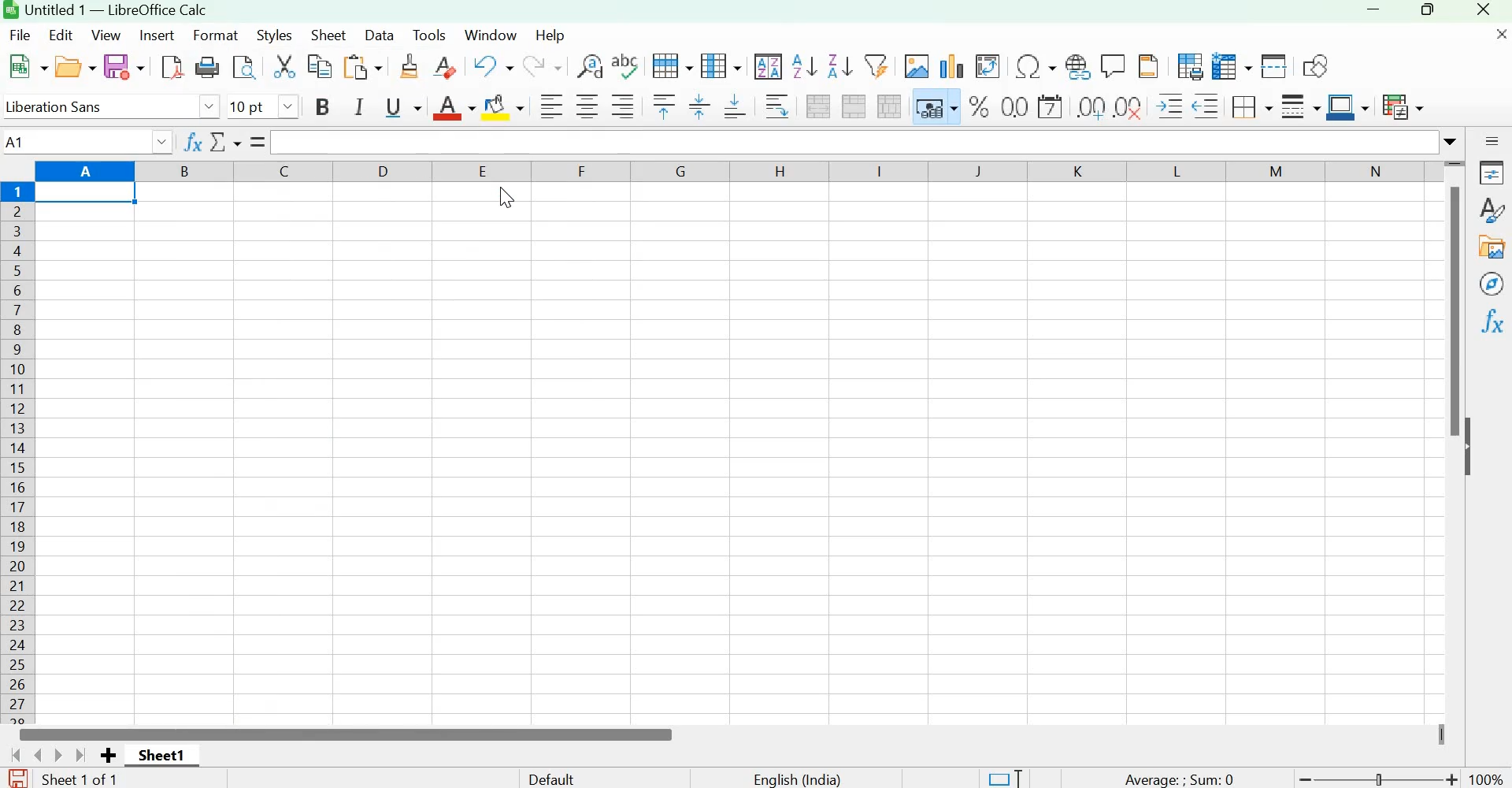 This screenshot has width=1512, height=788. Describe the element at coordinates (1129, 106) in the screenshot. I see `Delete decimal point` at that location.